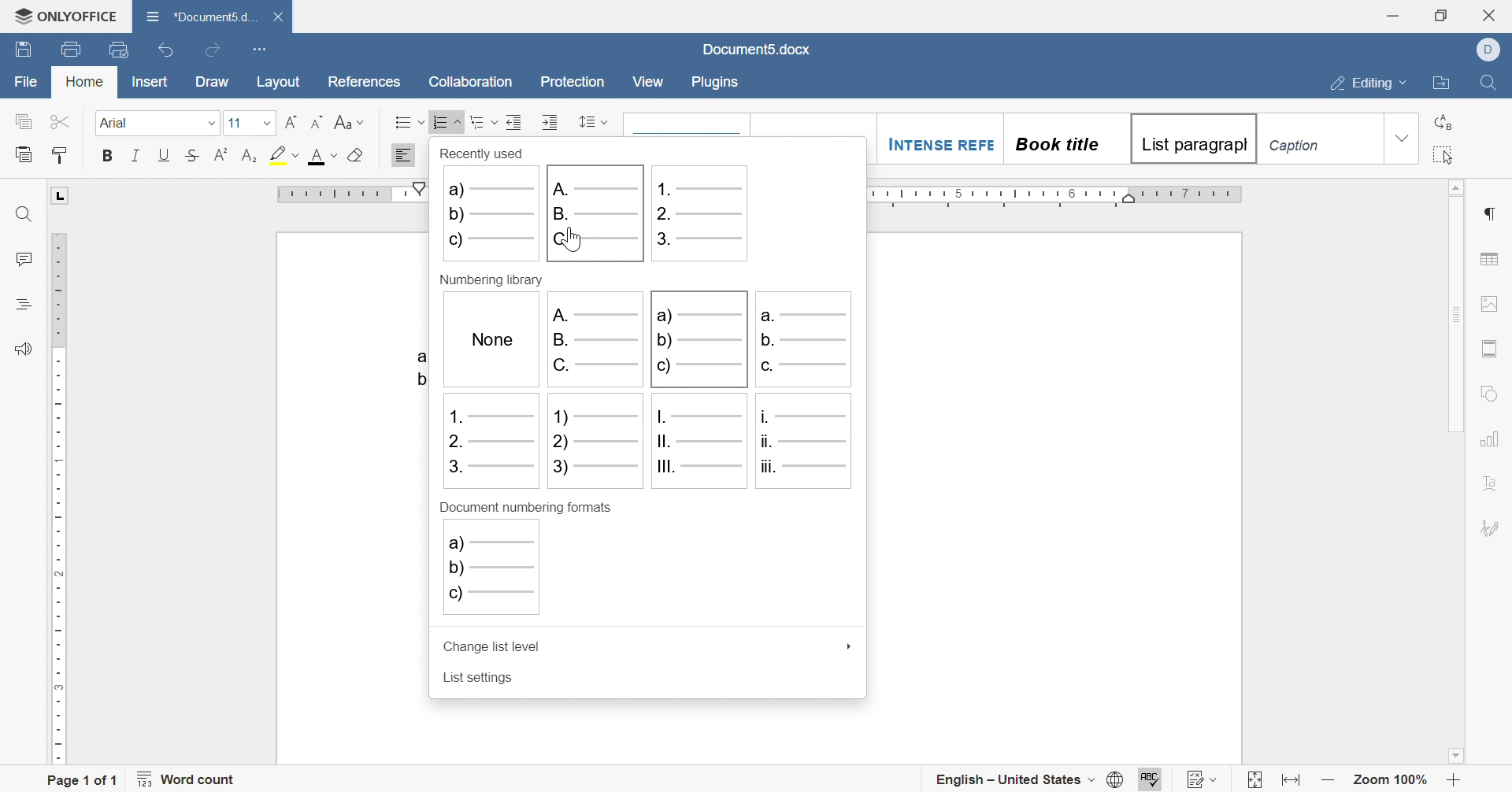 Image resolution: width=1512 pixels, height=792 pixels. I want to click on view, so click(650, 84).